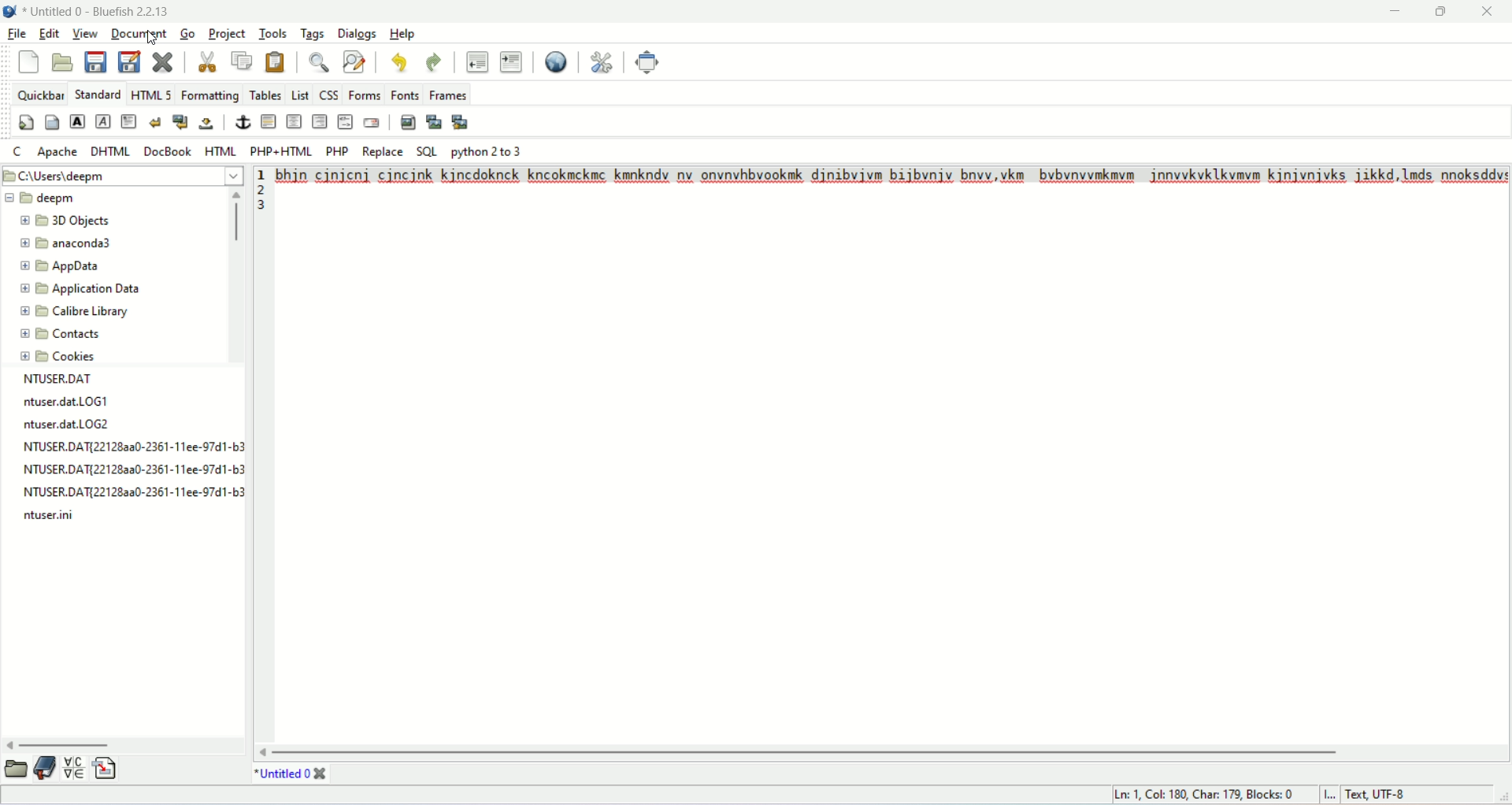 The width and height of the screenshot is (1512, 805). I want to click on project, so click(230, 34).